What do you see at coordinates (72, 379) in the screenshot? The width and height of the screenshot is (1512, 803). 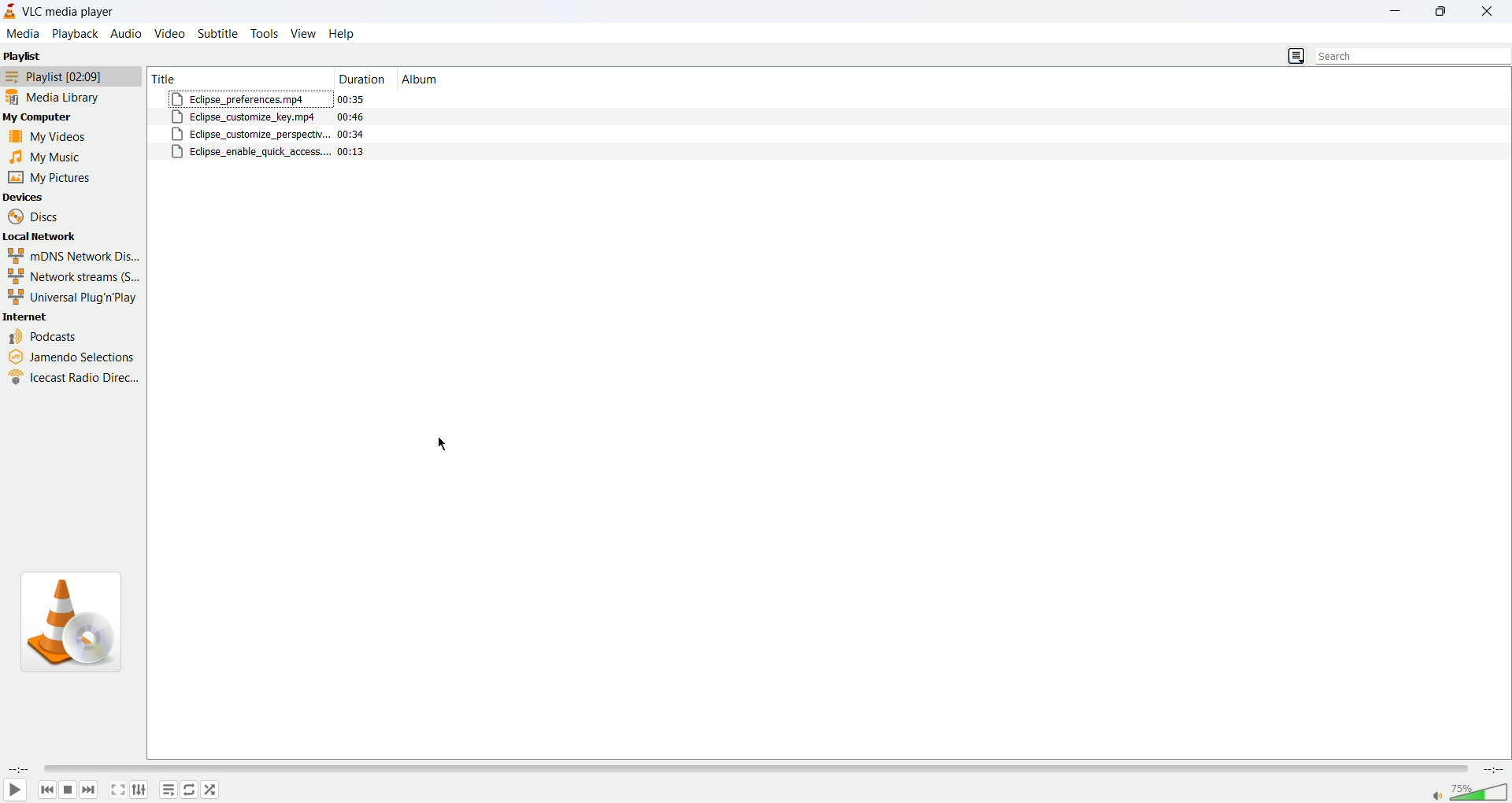 I see `icecast radio` at bounding box center [72, 379].